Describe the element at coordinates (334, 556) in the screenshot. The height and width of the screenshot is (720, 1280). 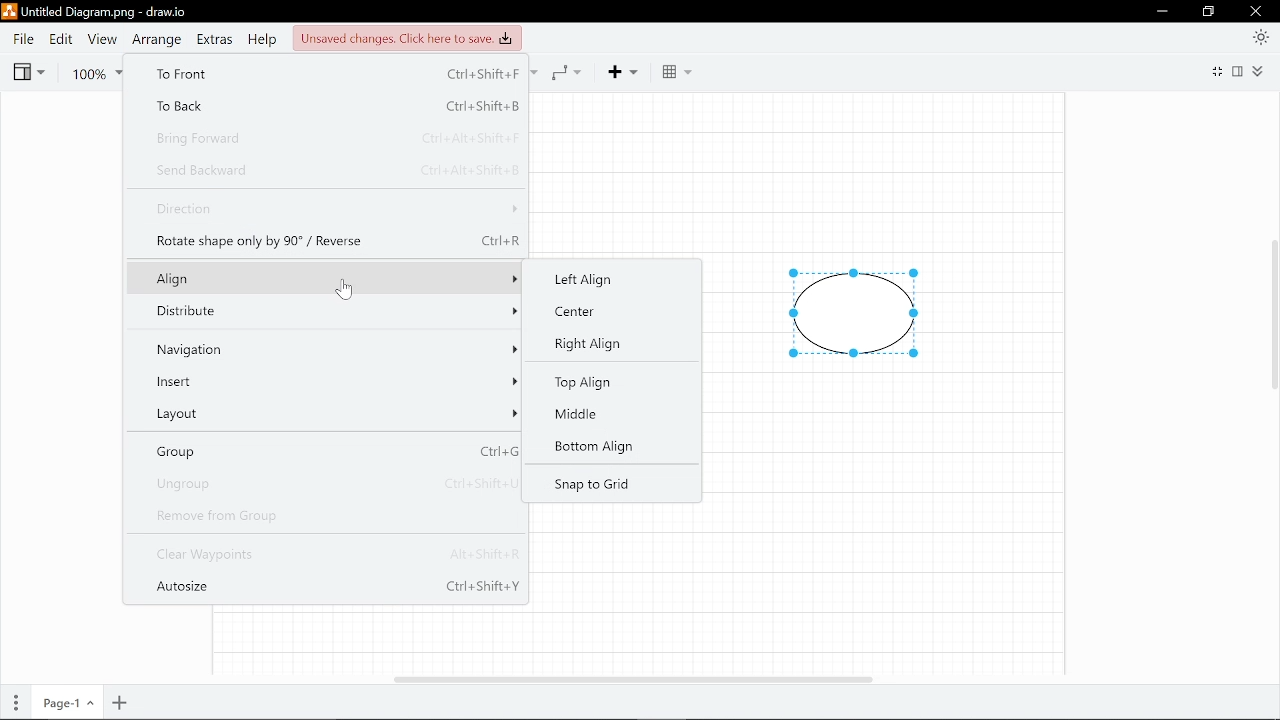
I see `Clear Waypoints` at that location.